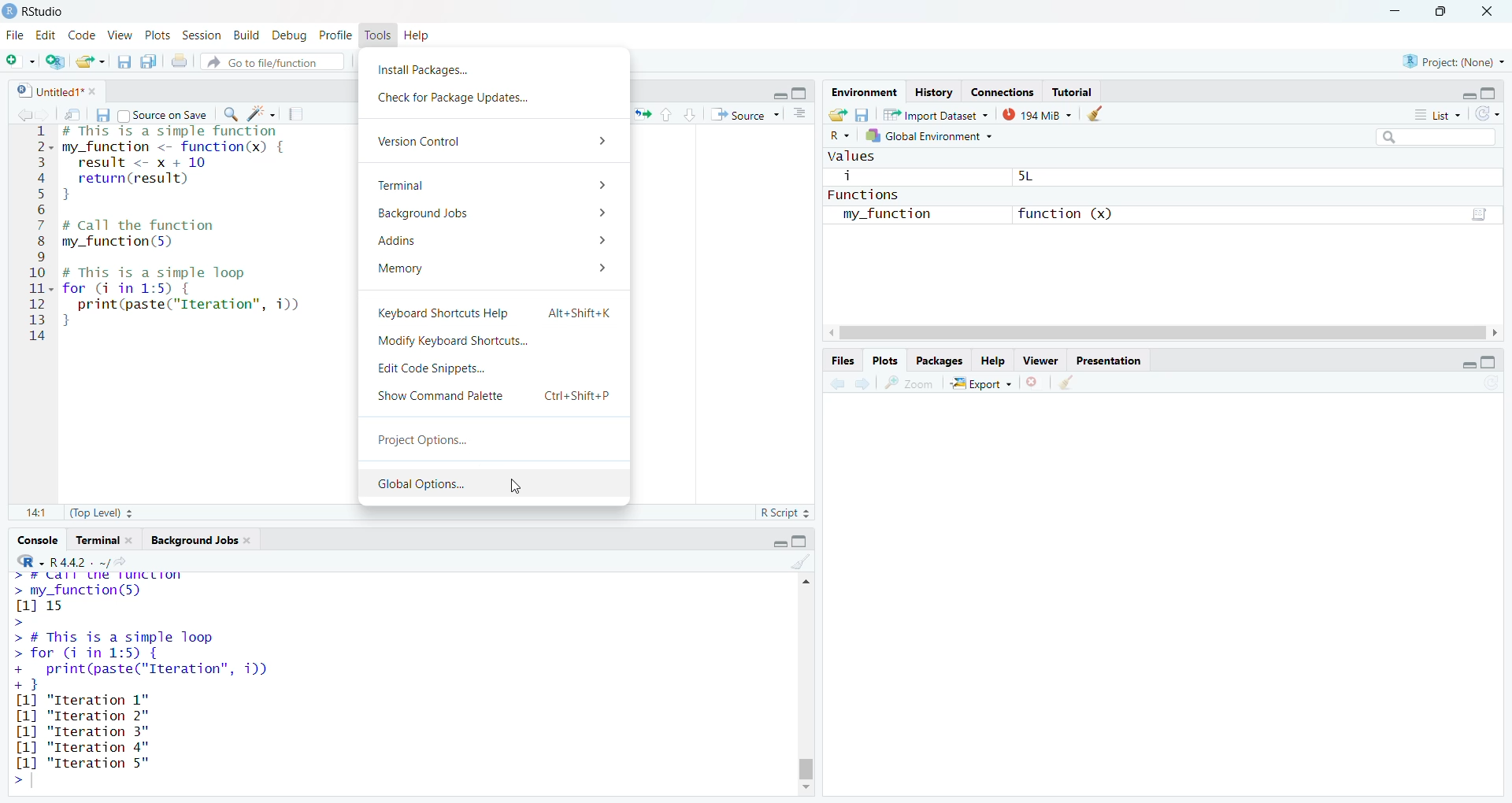  What do you see at coordinates (46, 113) in the screenshot?
I see `go forward to next source location` at bounding box center [46, 113].